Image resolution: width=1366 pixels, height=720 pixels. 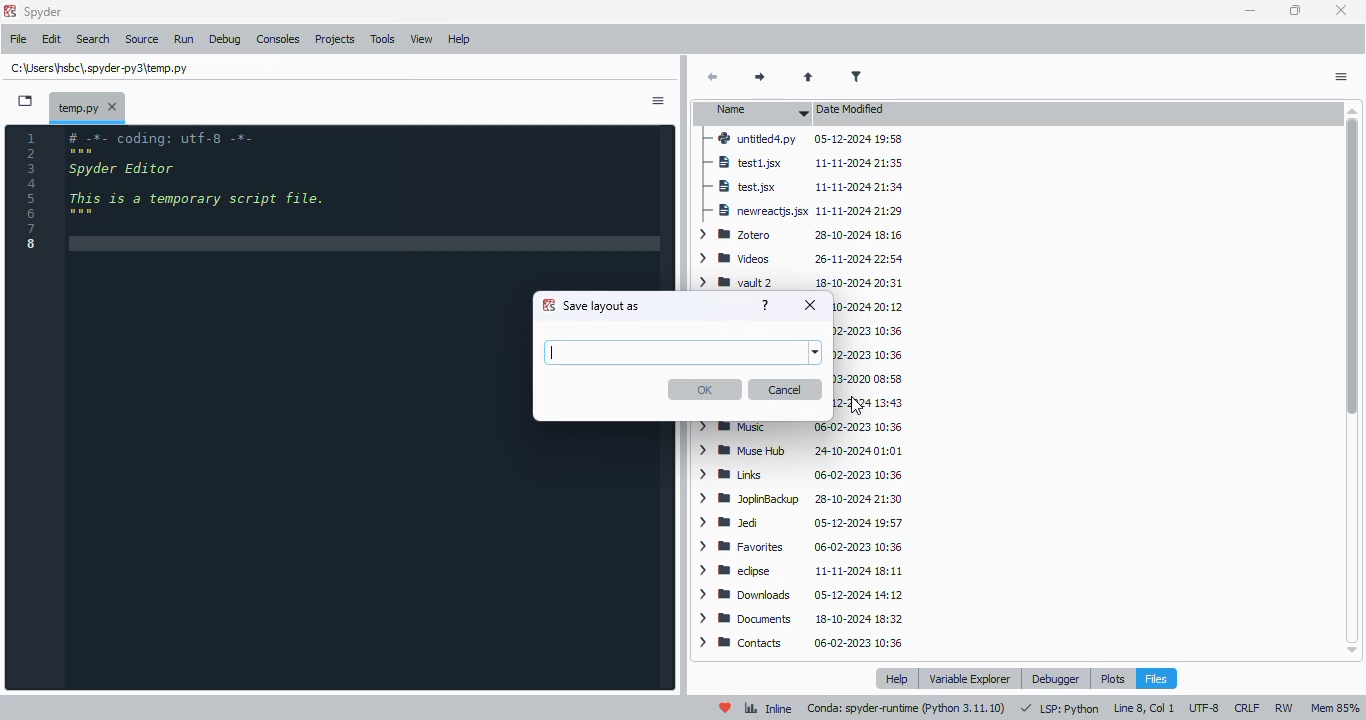 What do you see at coordinates (44, 12) in the screenshot?
I see `spyder` at bounding box center [44, 12].